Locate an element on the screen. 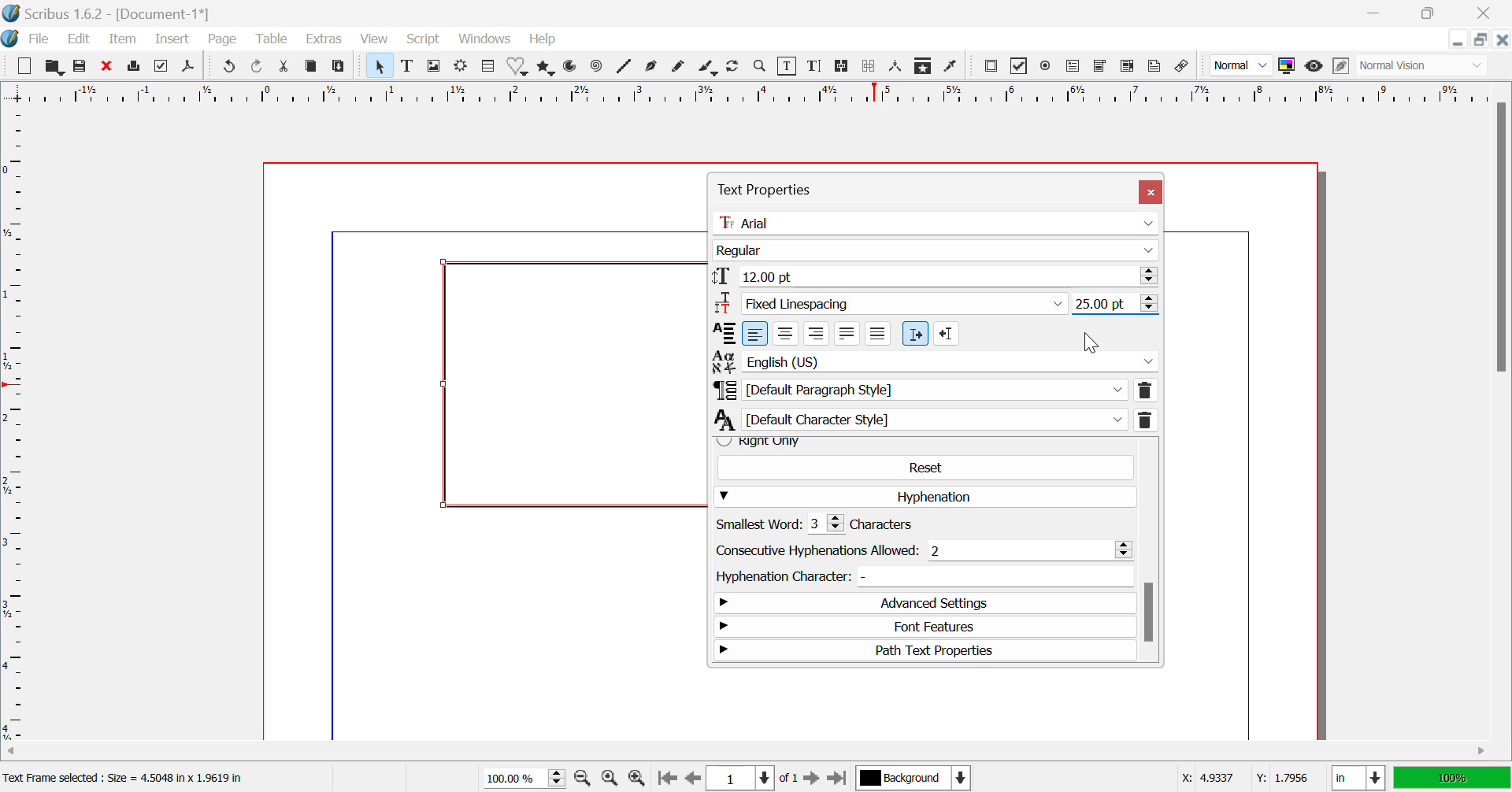 The width and height of the screenshot is (1512, 792). Hyphenation is located at coordinates (926, 497).